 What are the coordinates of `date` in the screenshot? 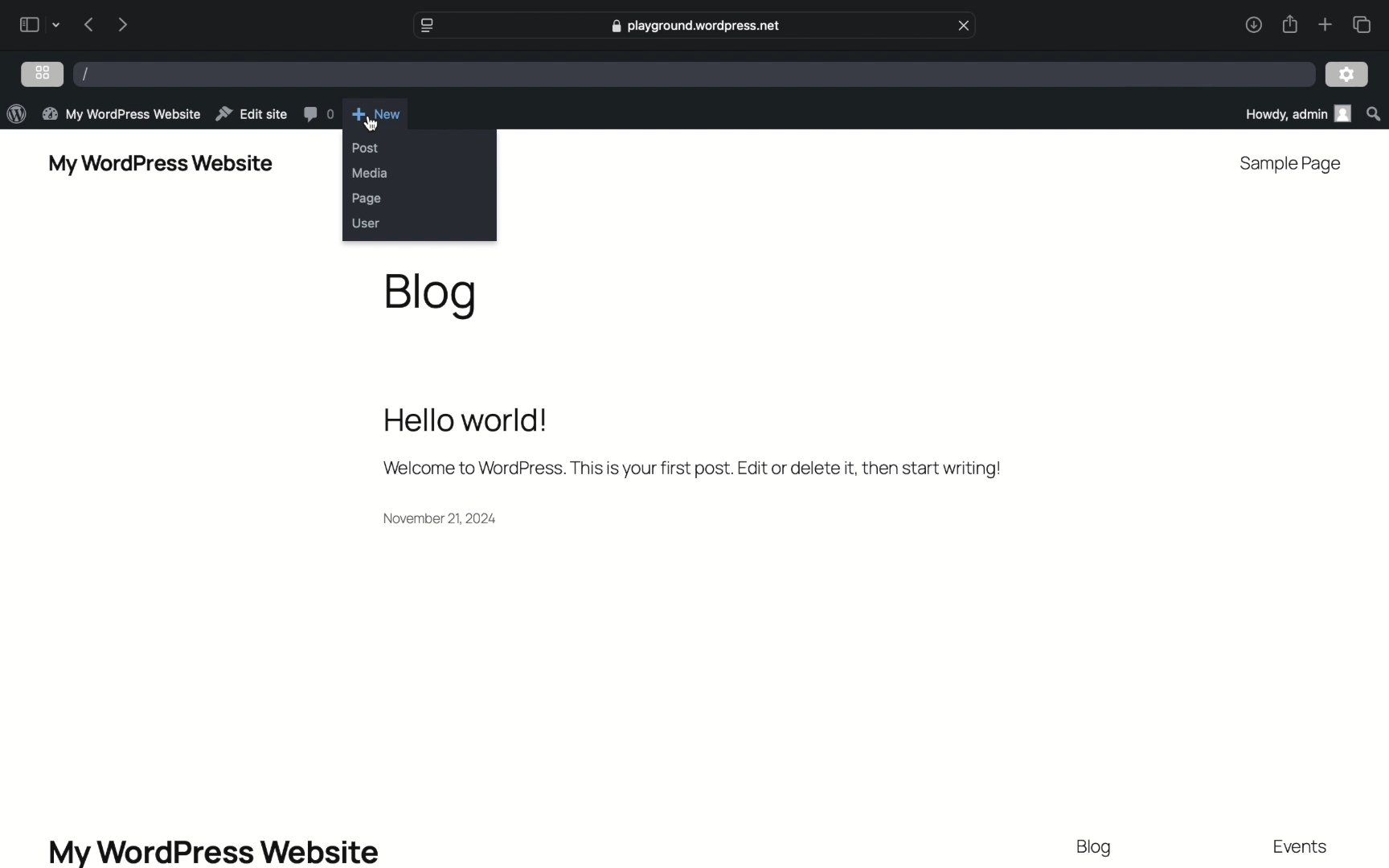 It's located at (442, 518).